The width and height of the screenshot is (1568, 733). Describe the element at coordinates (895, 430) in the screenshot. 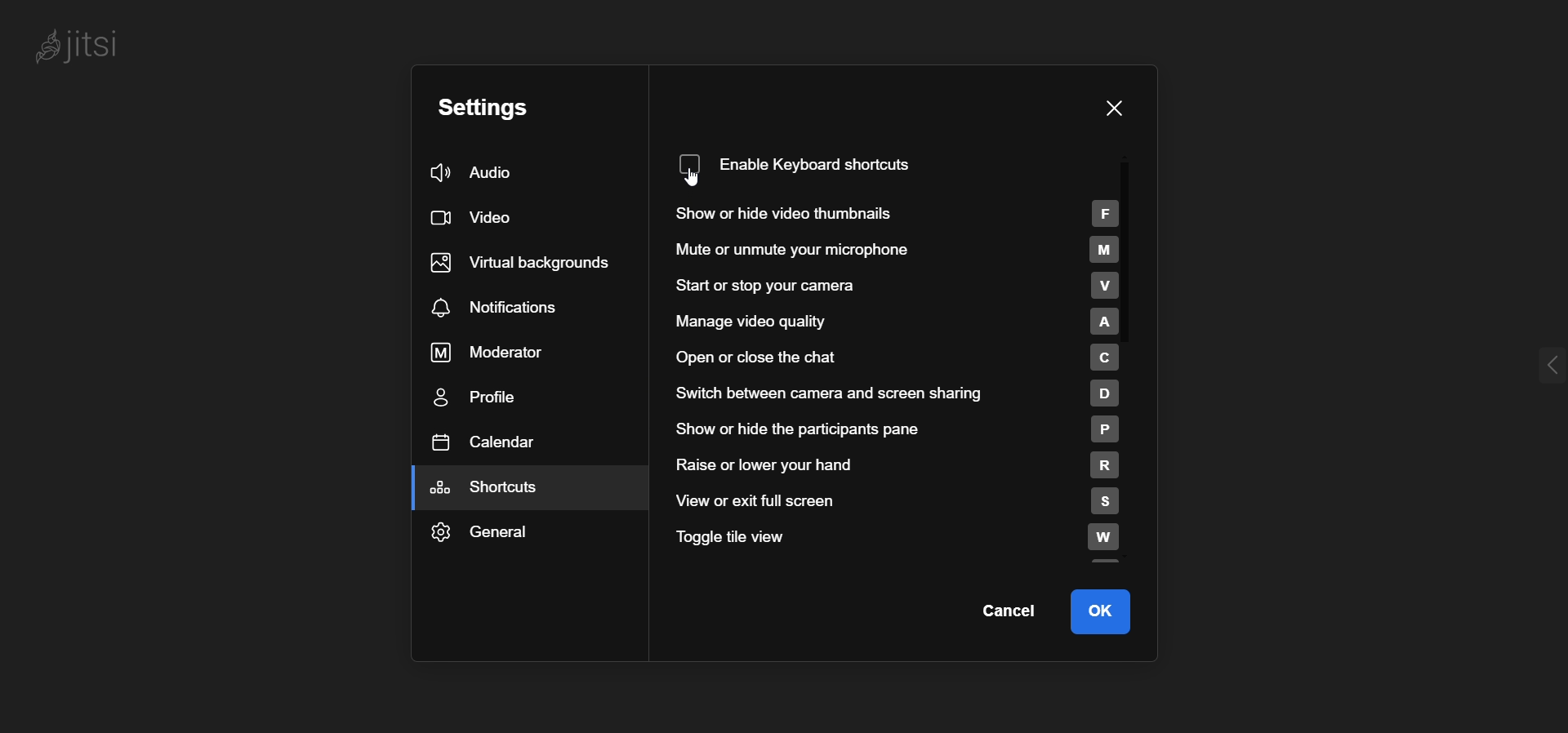

I see `show or hide participant pane` at that location.